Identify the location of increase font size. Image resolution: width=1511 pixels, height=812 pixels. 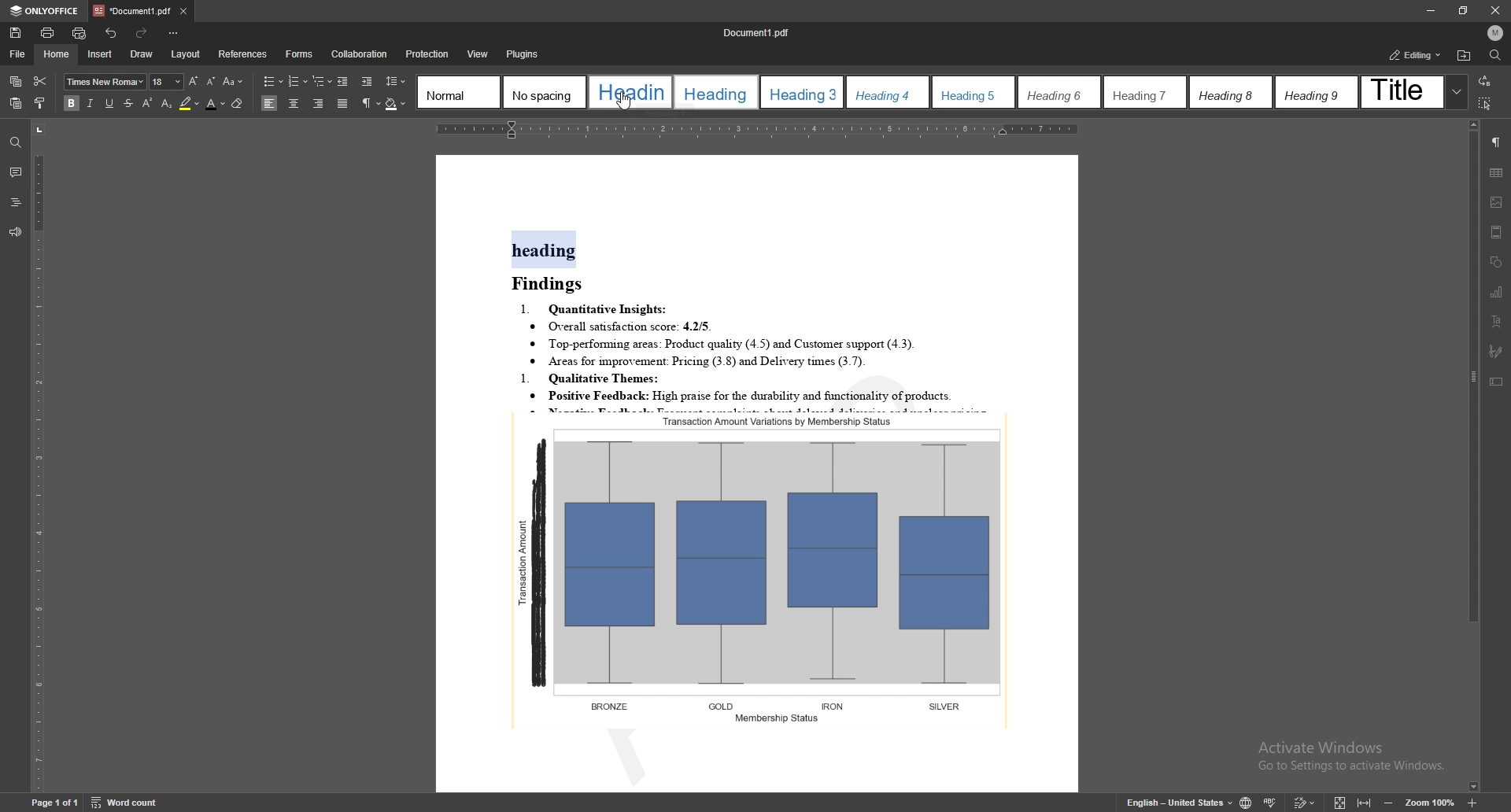
(193, 81).